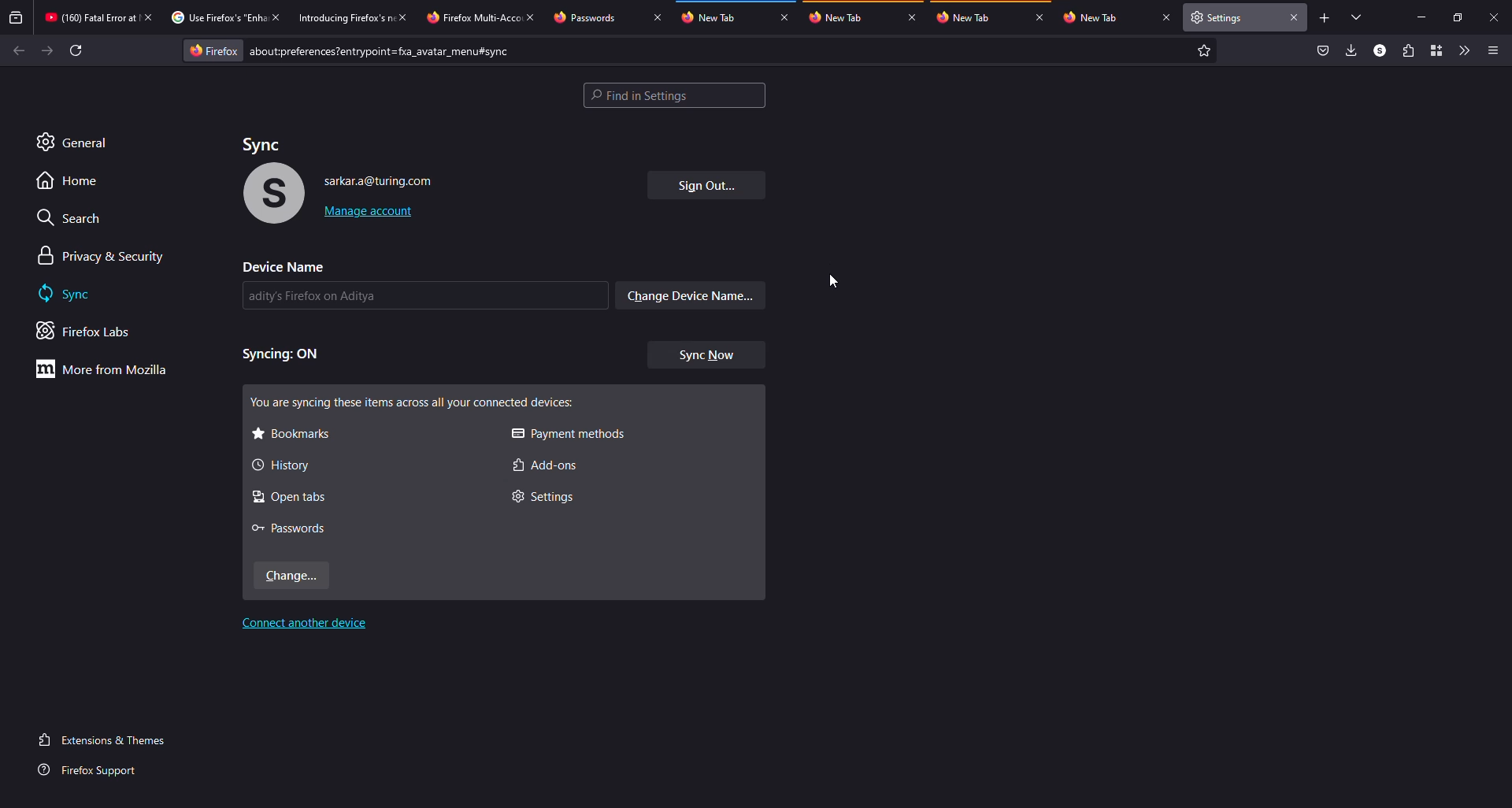  I want to click on firefox labs, so click(90, 329).